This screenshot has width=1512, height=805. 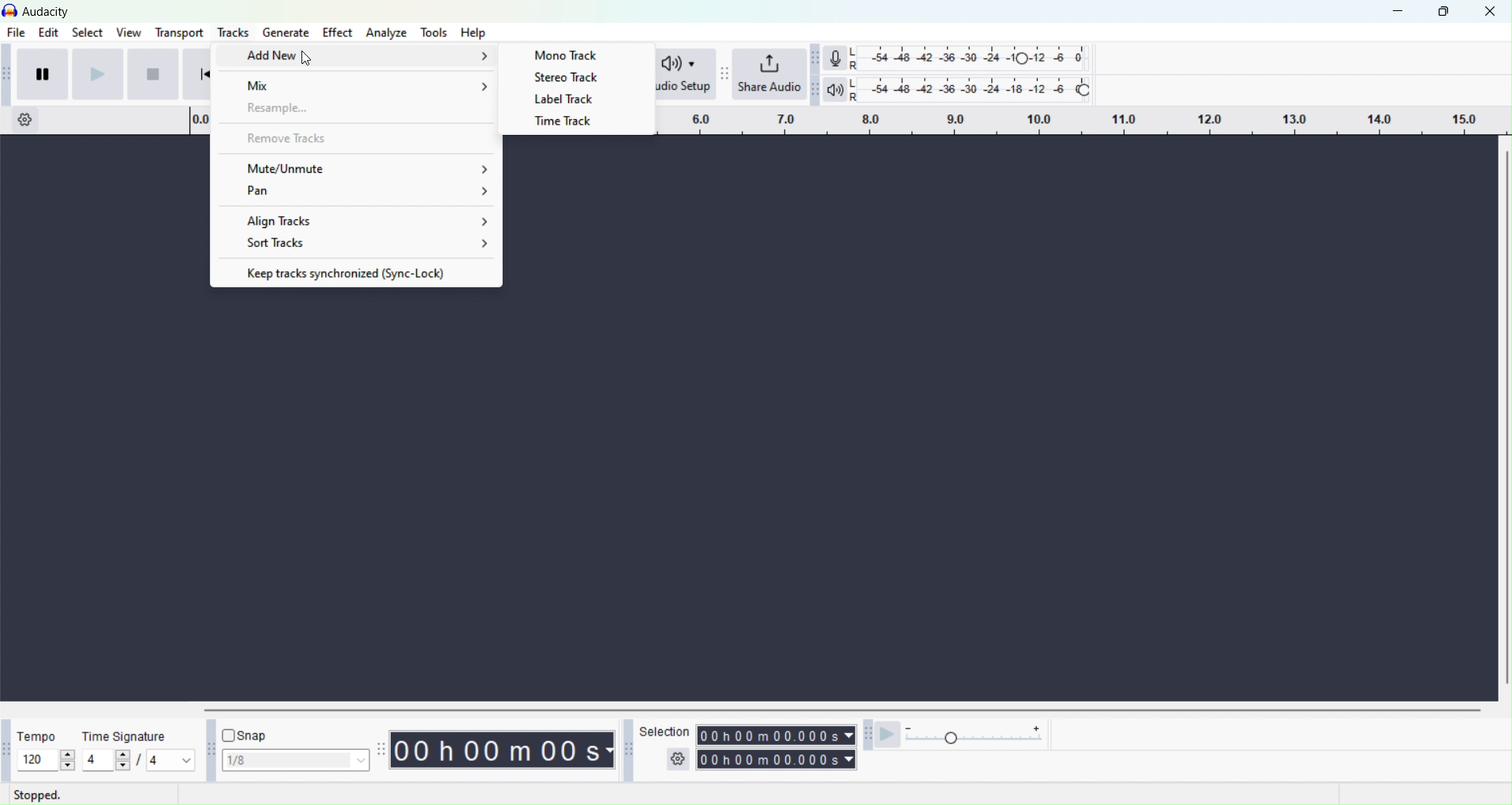 I want to click on View, so click(x=129, y=32).